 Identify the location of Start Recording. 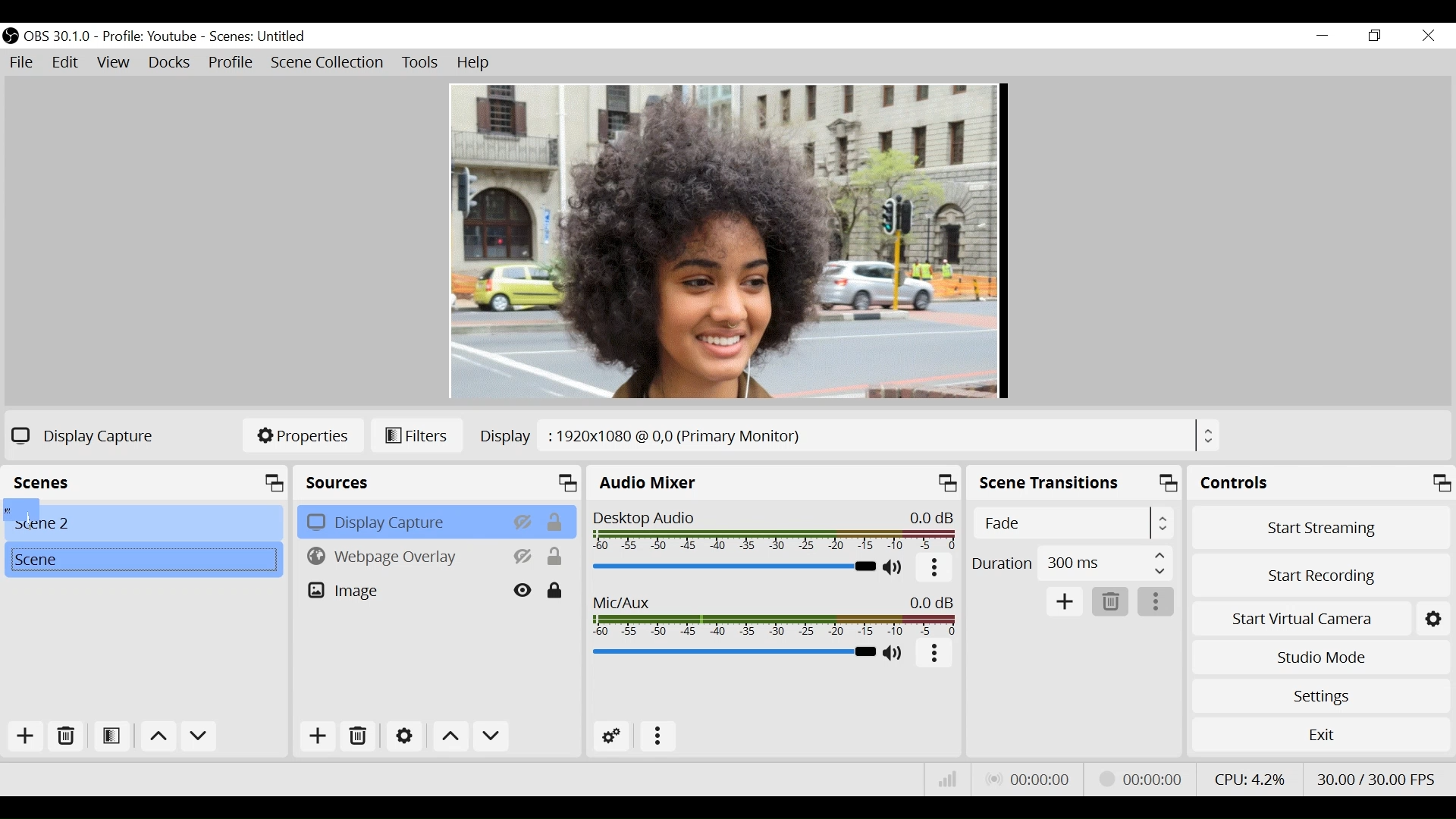
(1318, 578).